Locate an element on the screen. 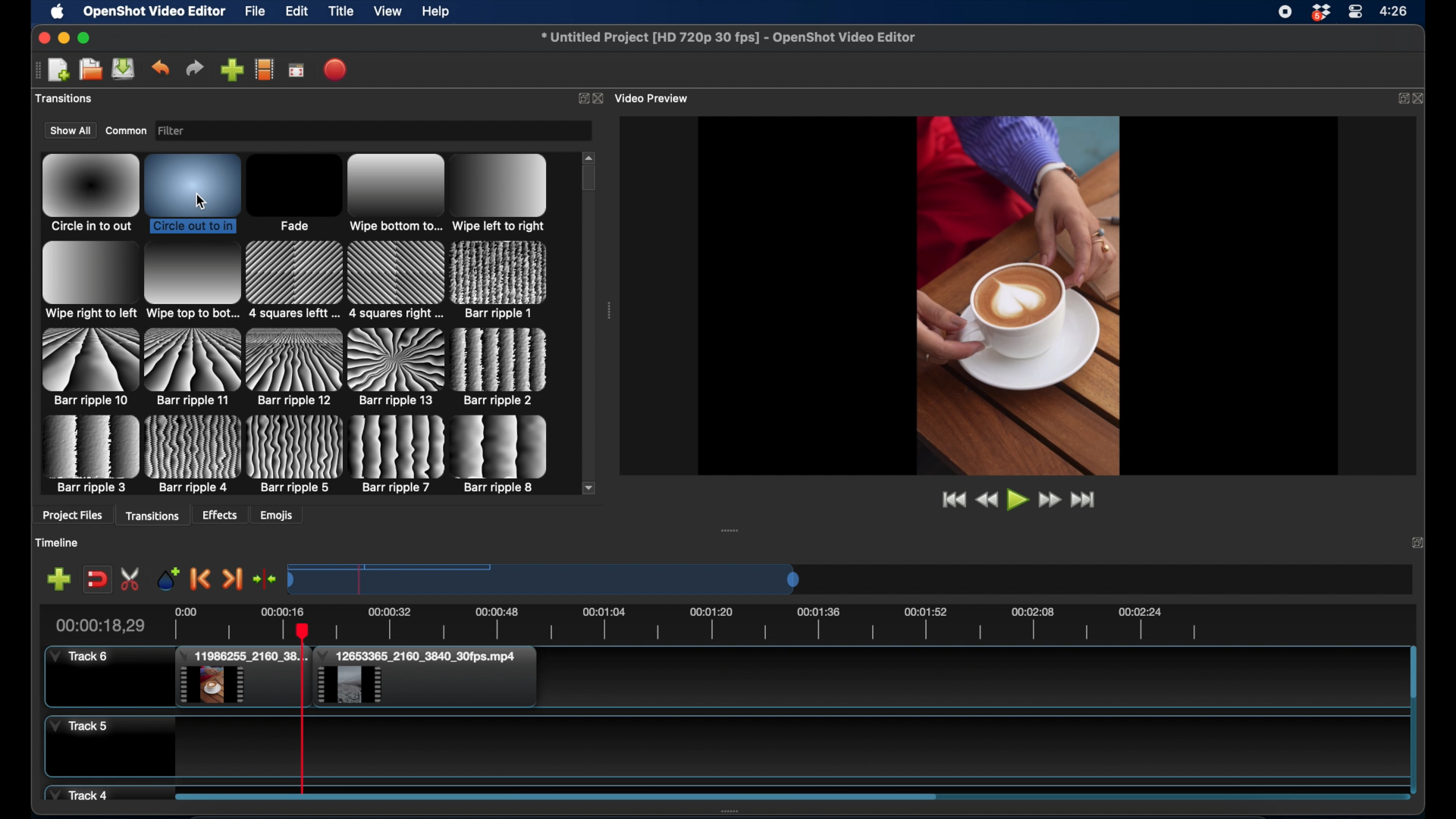  close is located at coordinates (41, 37).